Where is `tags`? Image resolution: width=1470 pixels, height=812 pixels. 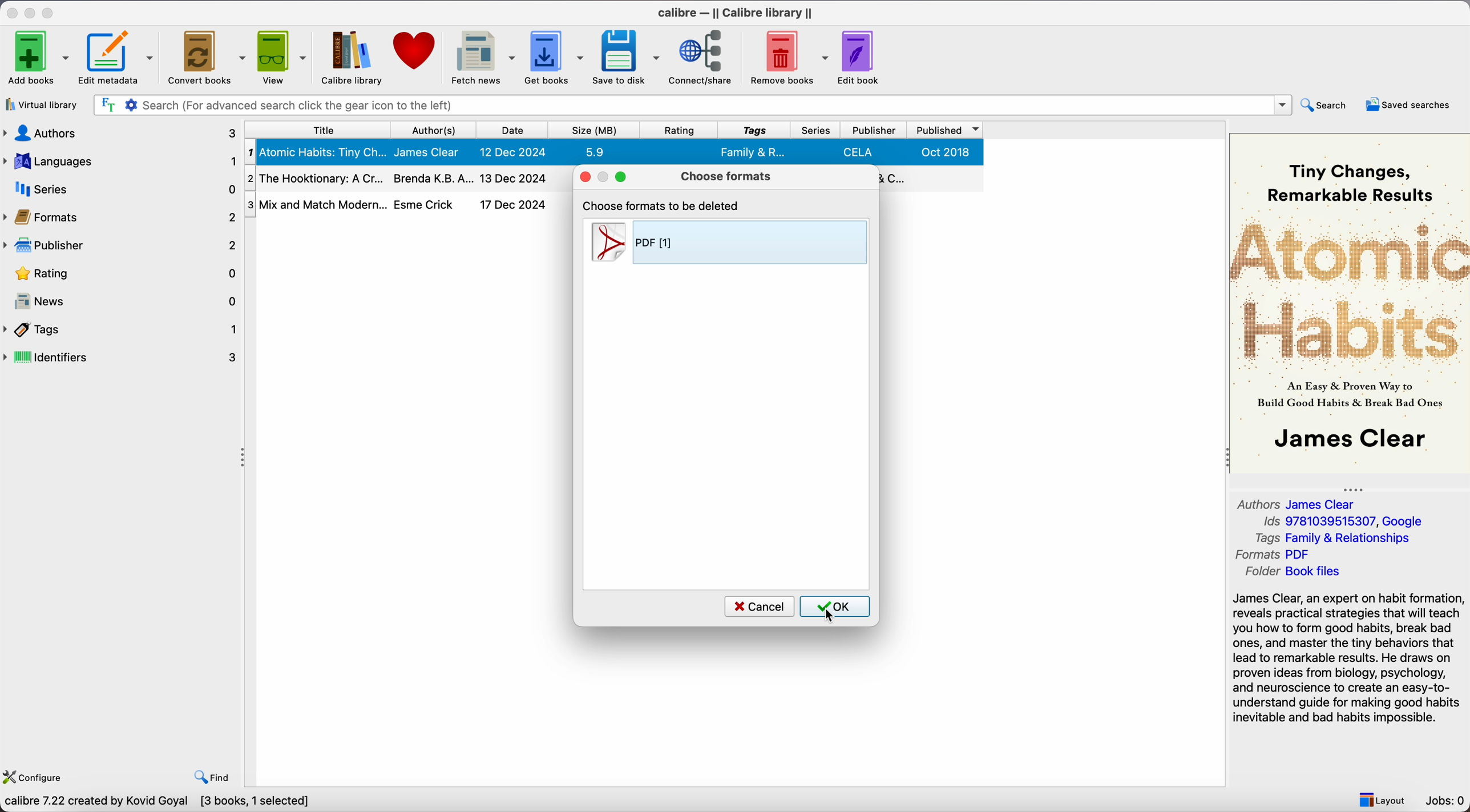
tags is located at coordinates (754, 130).